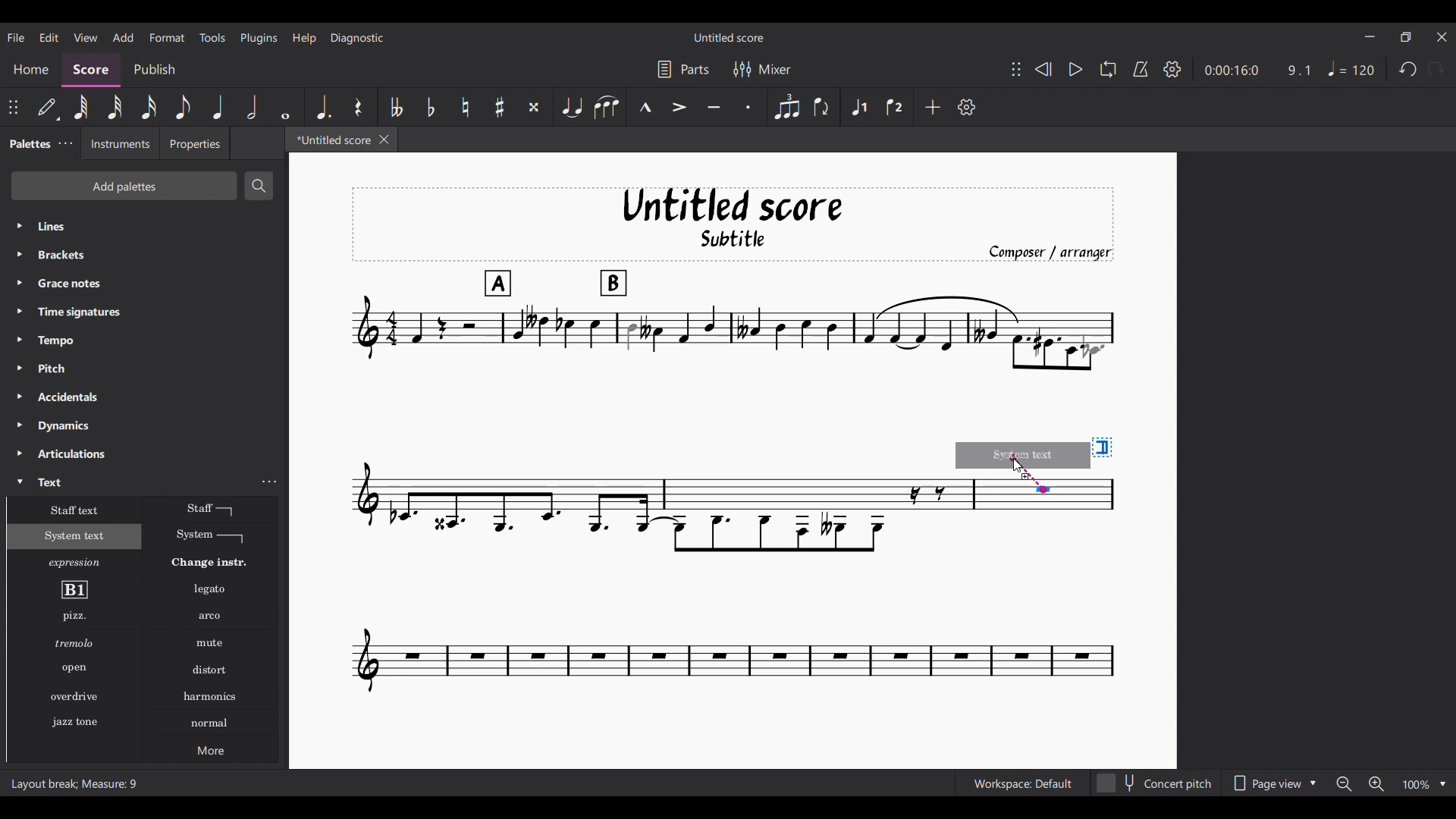 This screenshot has height=819, width=1456. What do you see at coordinates (74, 669) in the screenshot?
I see `Open` at bounding box center [74, 669].